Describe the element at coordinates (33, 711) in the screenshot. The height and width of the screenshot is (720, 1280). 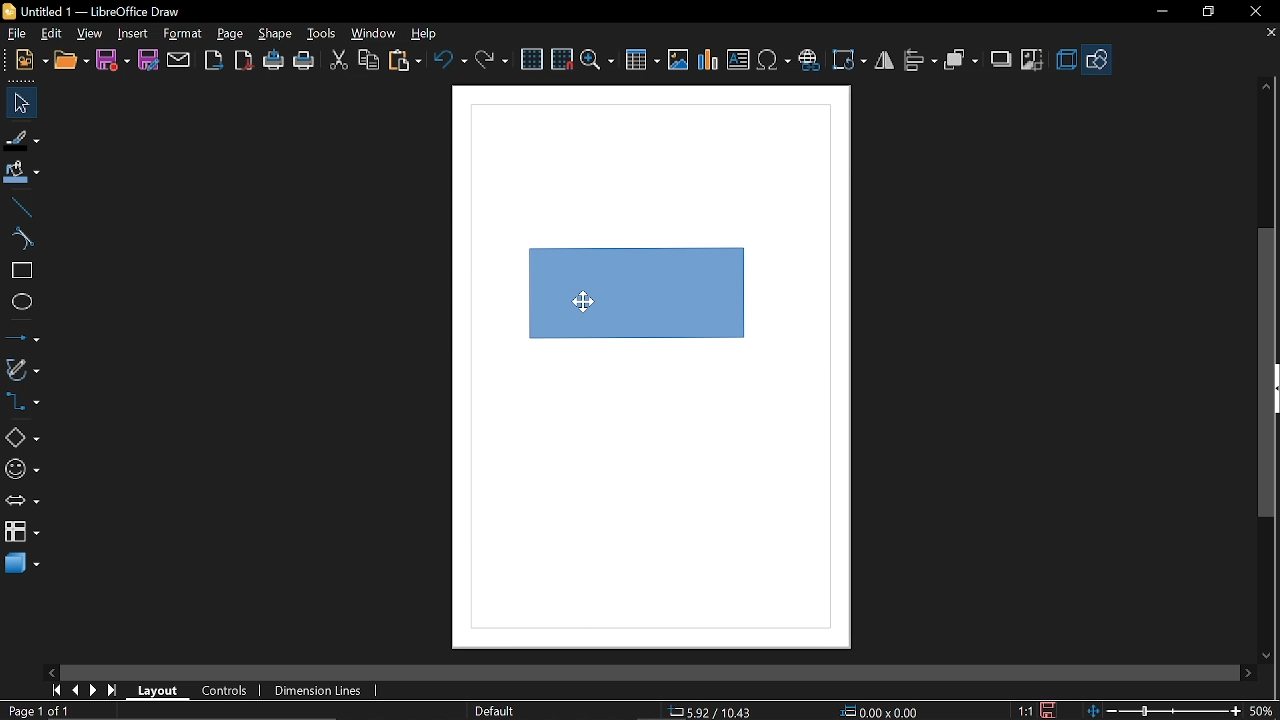
I see `Page 1 of 1` at that location.